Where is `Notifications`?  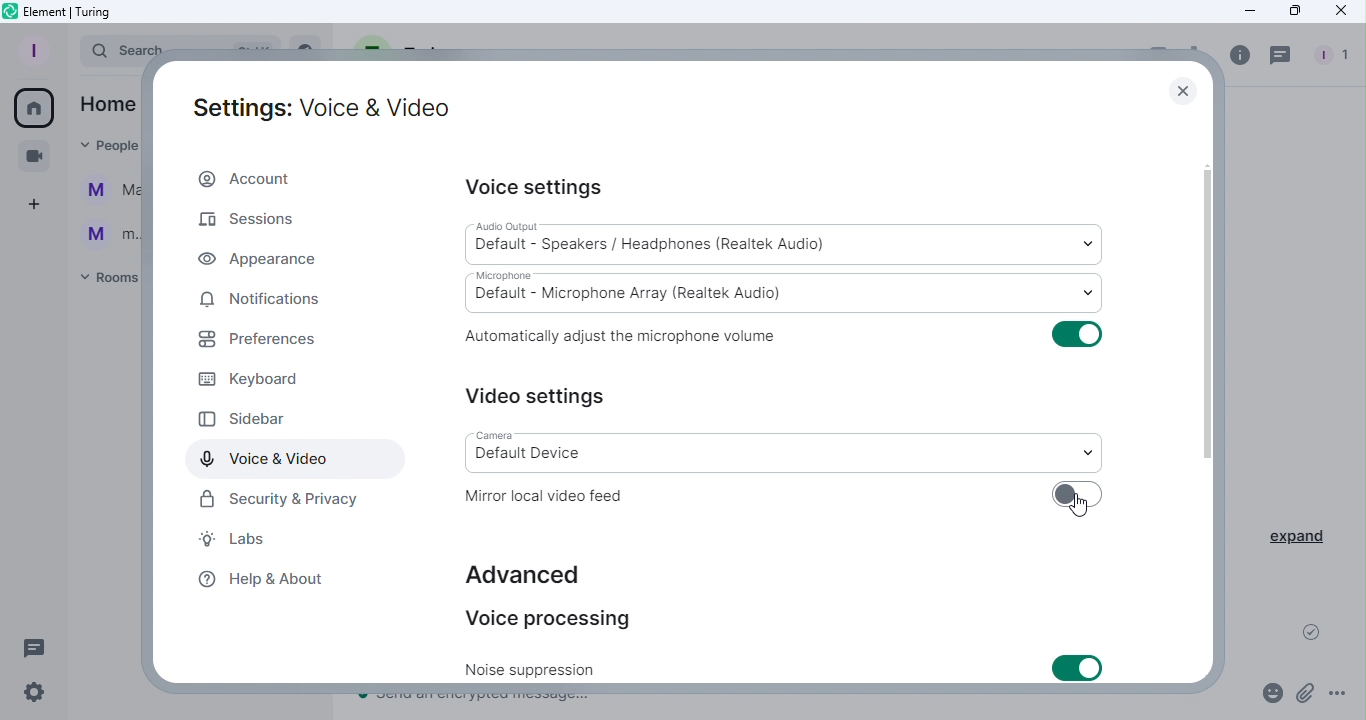
Notifications is located at coordinates (263, 301).